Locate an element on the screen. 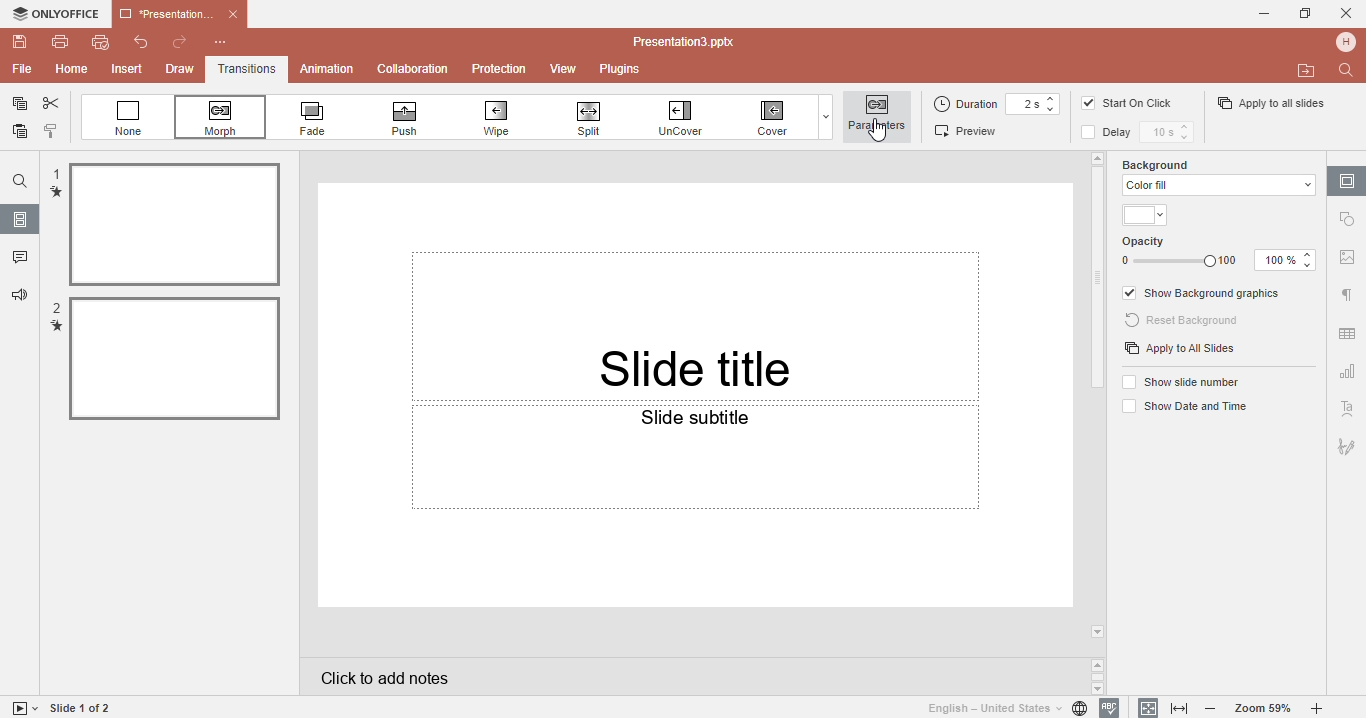 The image size is (1366, 718). Start on click is located at coordinates (1138, 103).